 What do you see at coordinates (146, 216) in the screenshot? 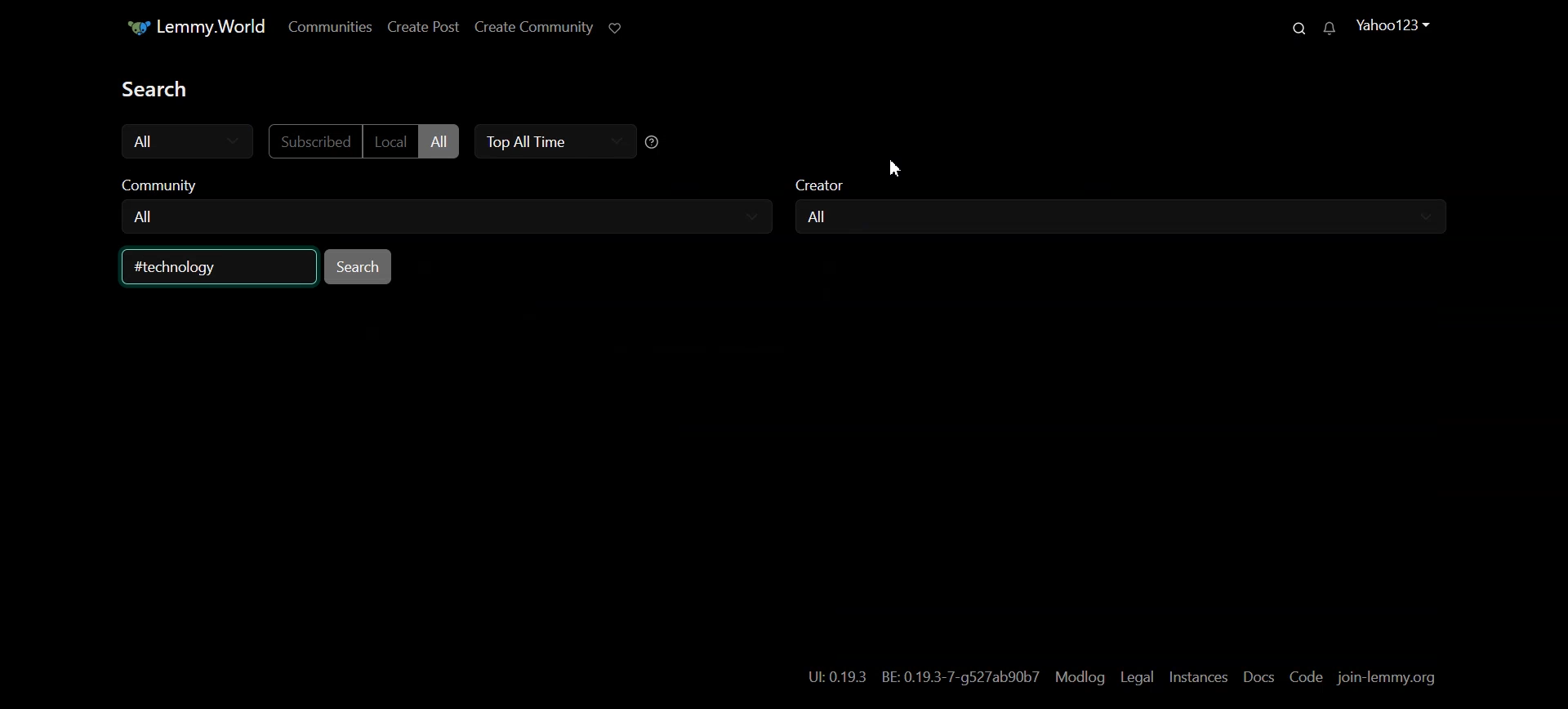
I see `All` at bounding box center [146, 216].